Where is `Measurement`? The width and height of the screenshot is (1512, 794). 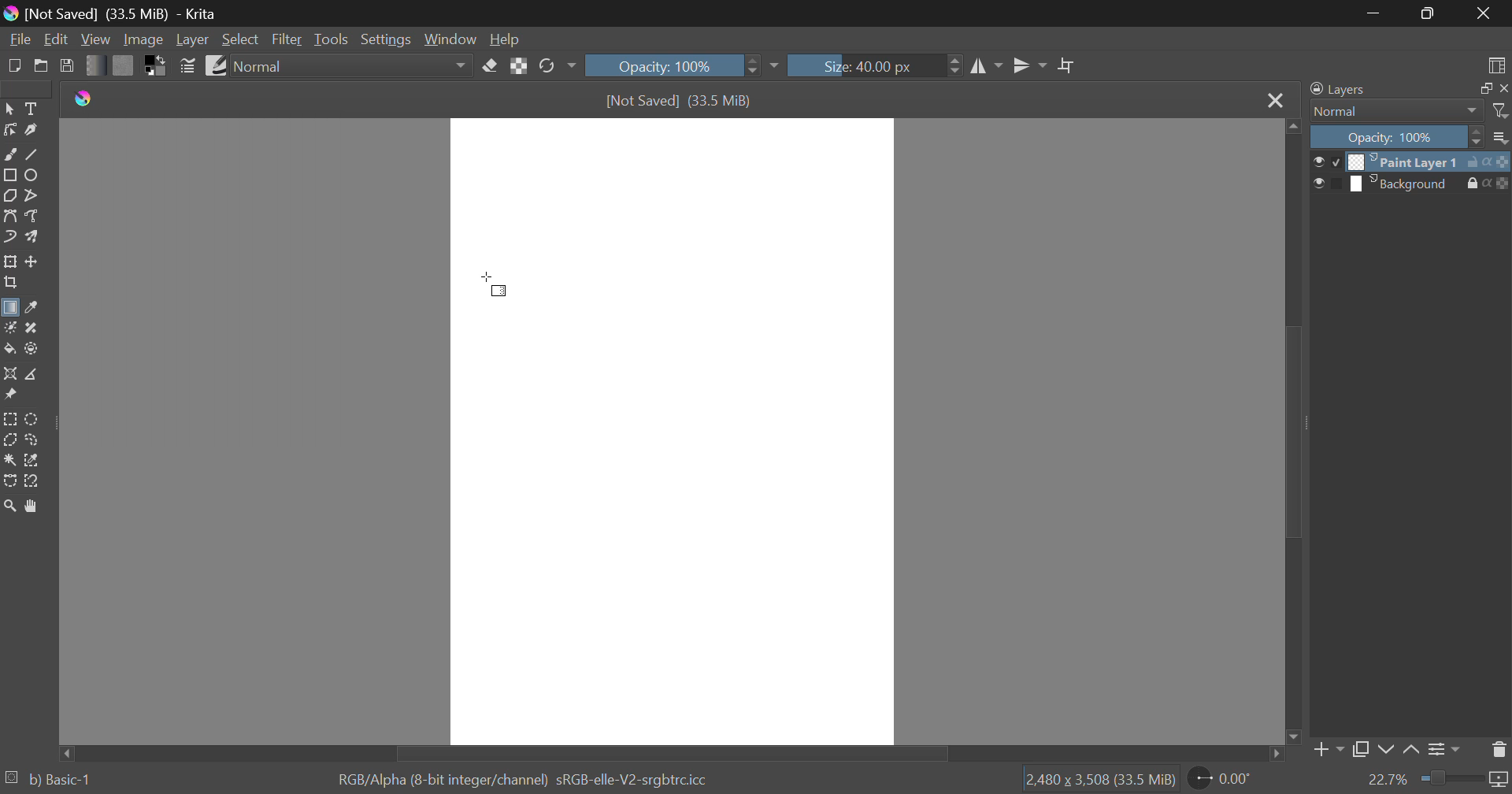
Measurement is located at coordinates (32, 375).